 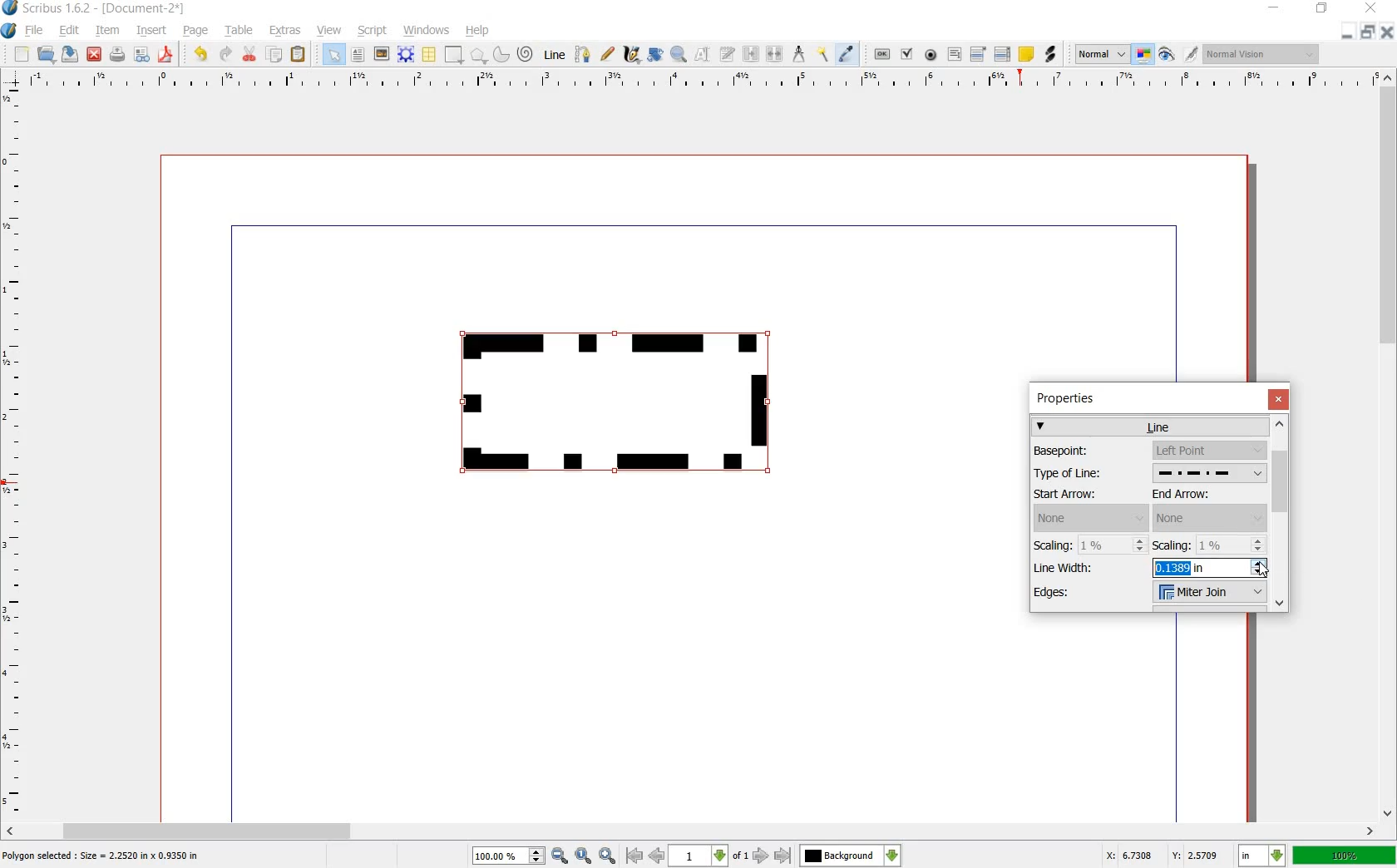 I want to click on PASTE, so click(x=299, y=54).